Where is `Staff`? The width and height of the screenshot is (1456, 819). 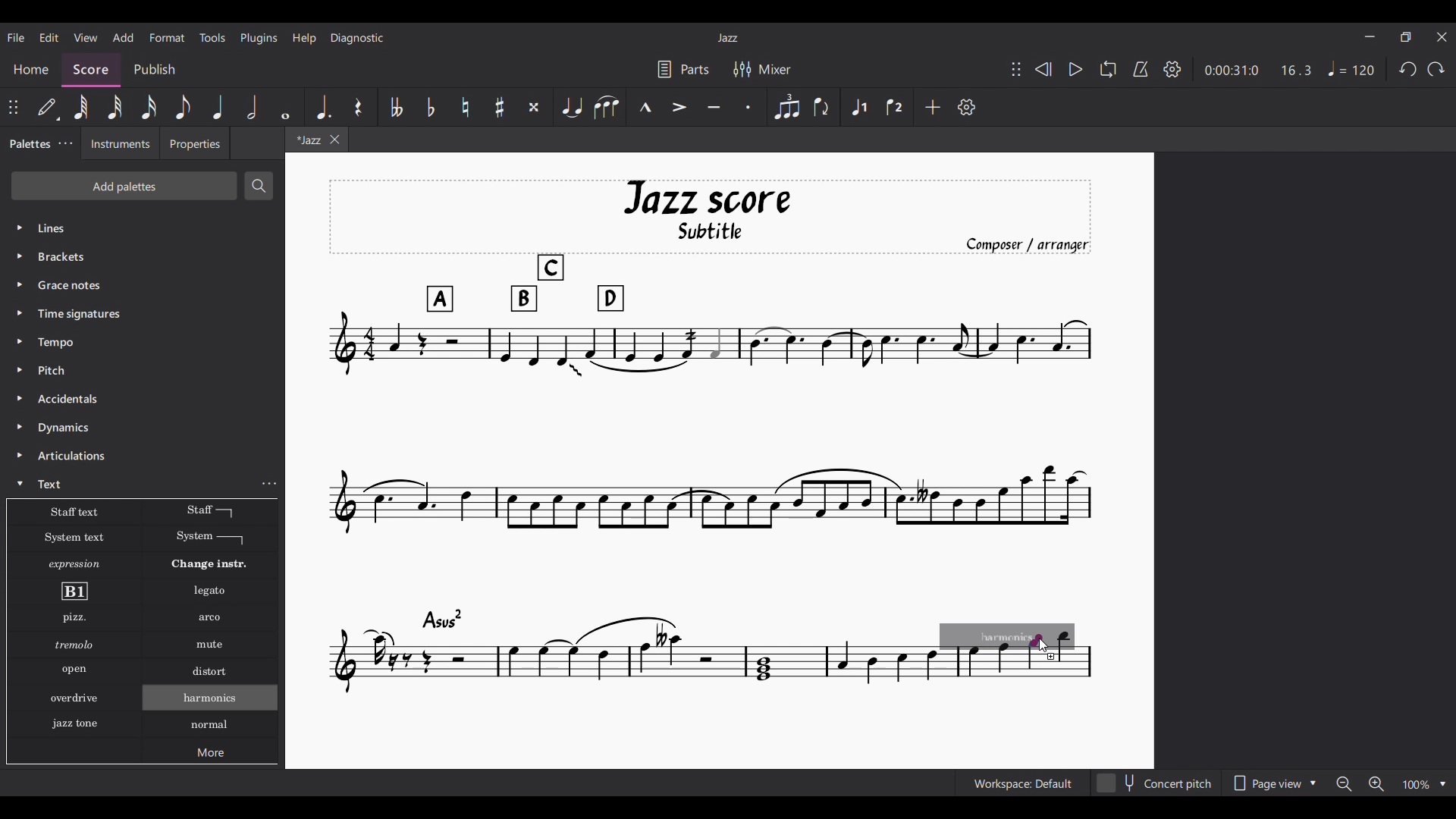 Staff is located at coordinates (209, 511).